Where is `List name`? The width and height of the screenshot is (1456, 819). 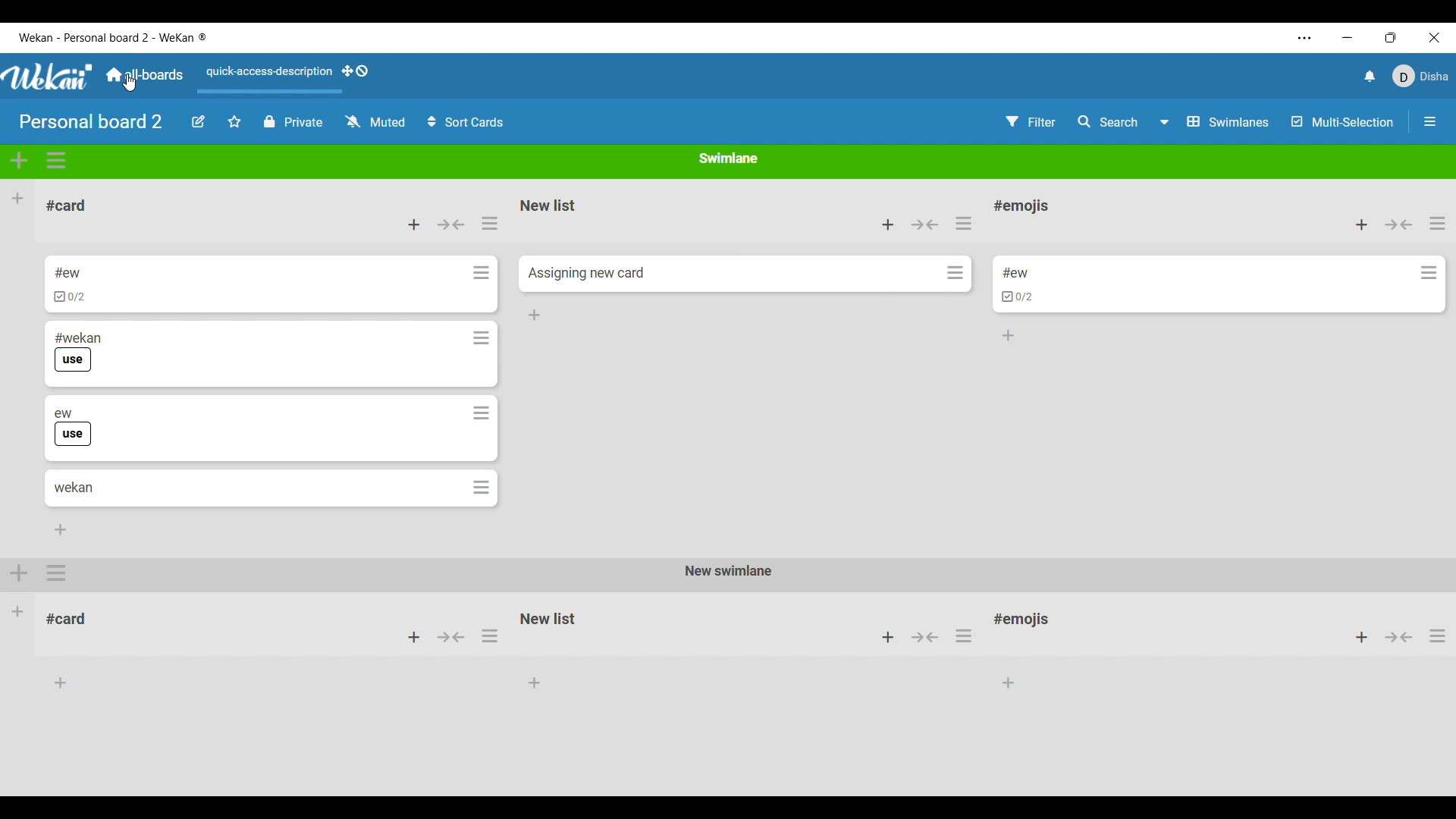 List name is located at coordinates (548, 206).